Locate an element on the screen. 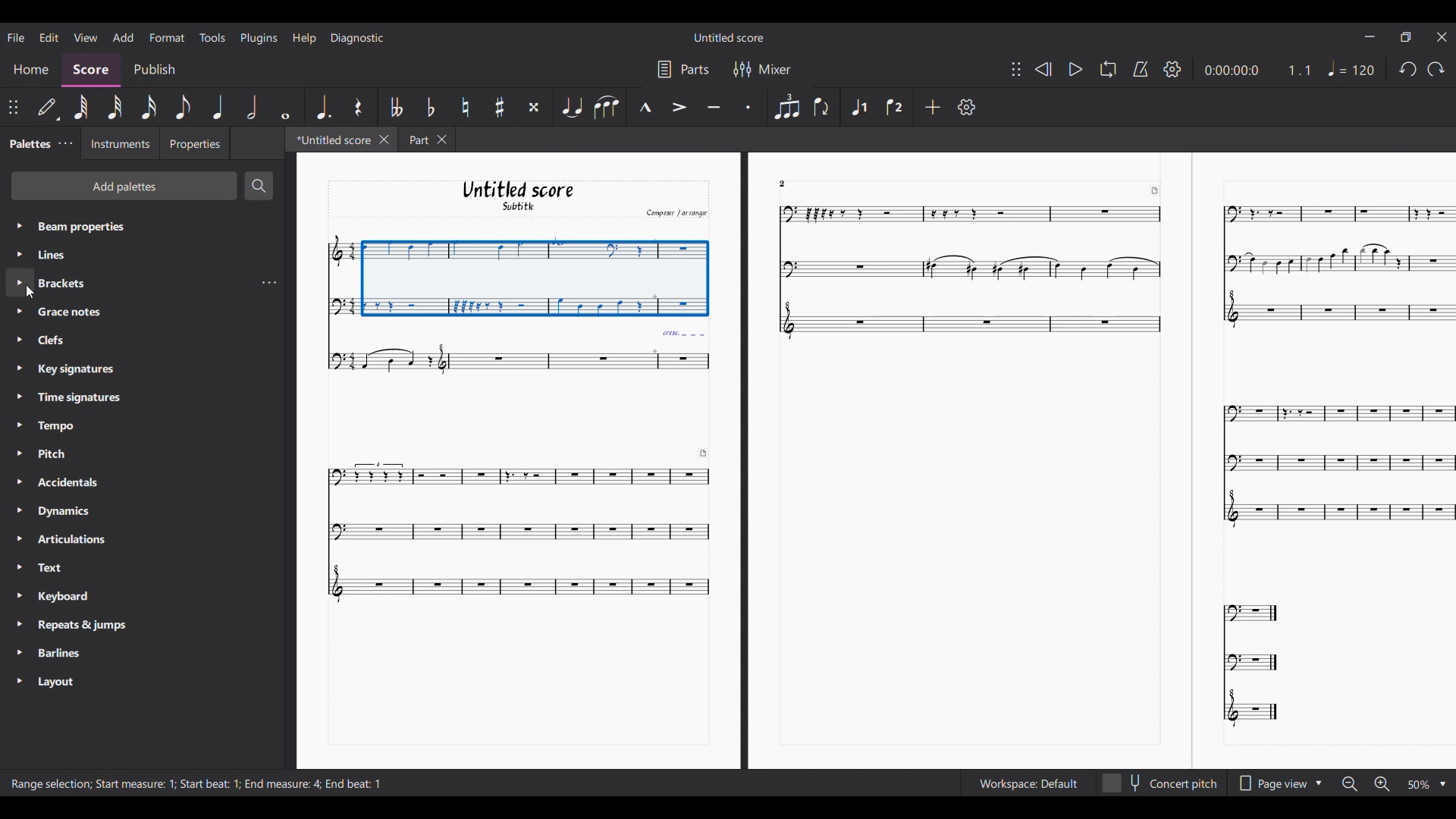  Zoom options is located at coordinates (1418, 785).